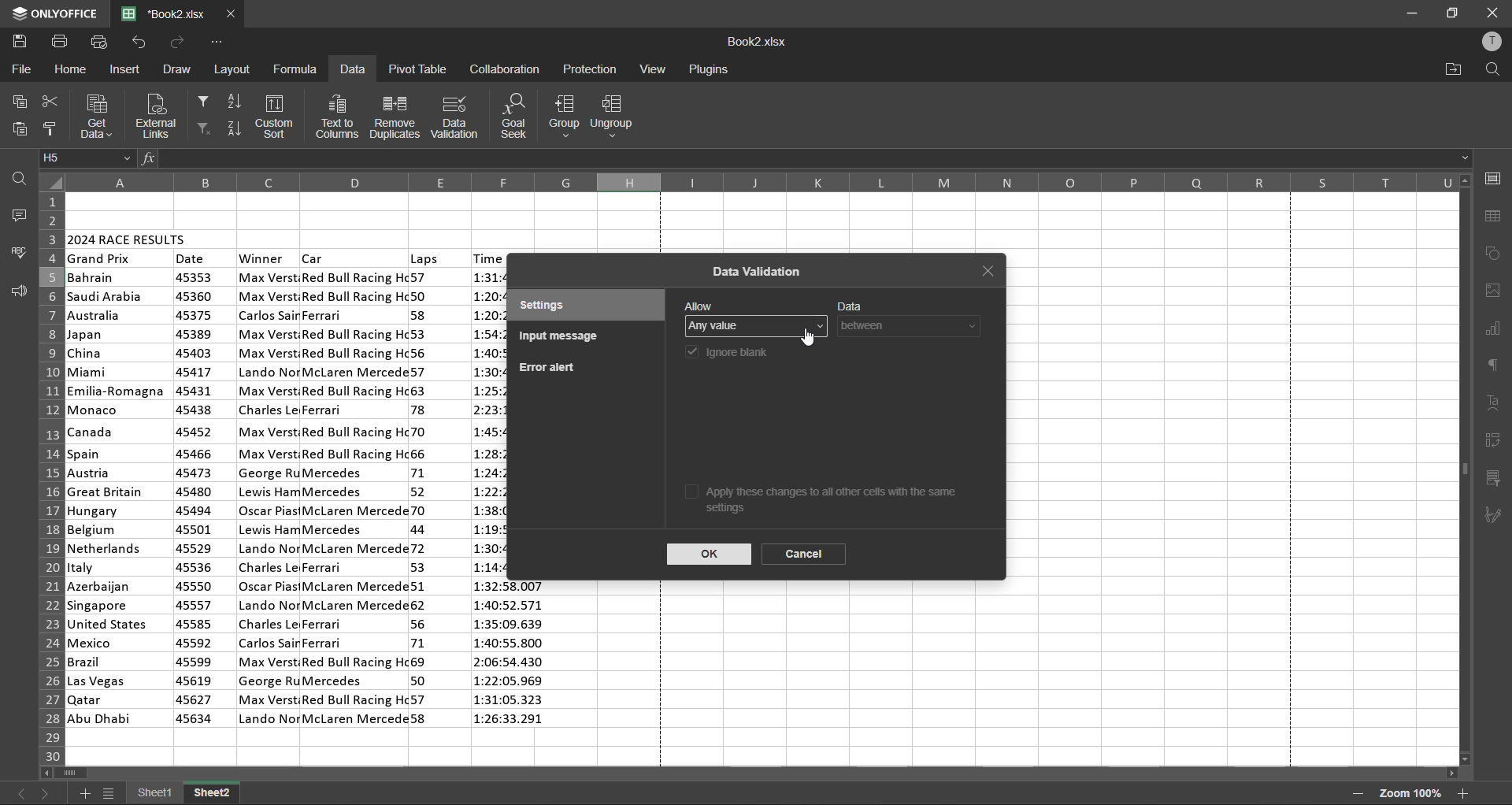 Image resolution: width=1512 pixels, height=805 pixels. What do you see at coordinates (1494, 441) in the screenshot?
I see `pivot table` at bounding box center [1494, 441].